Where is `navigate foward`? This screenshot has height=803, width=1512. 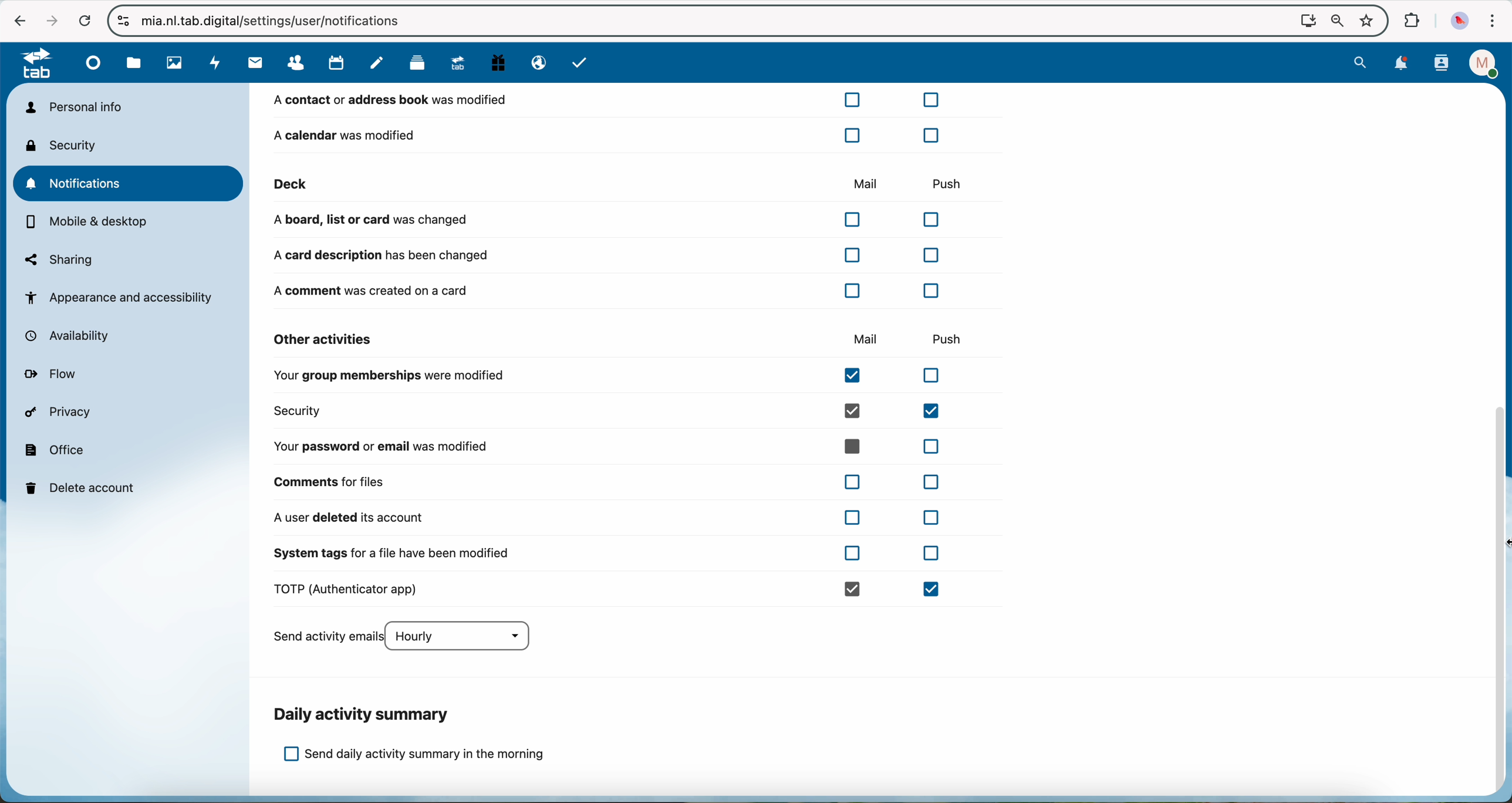 navigate foward is located at coordinates (48, 19).